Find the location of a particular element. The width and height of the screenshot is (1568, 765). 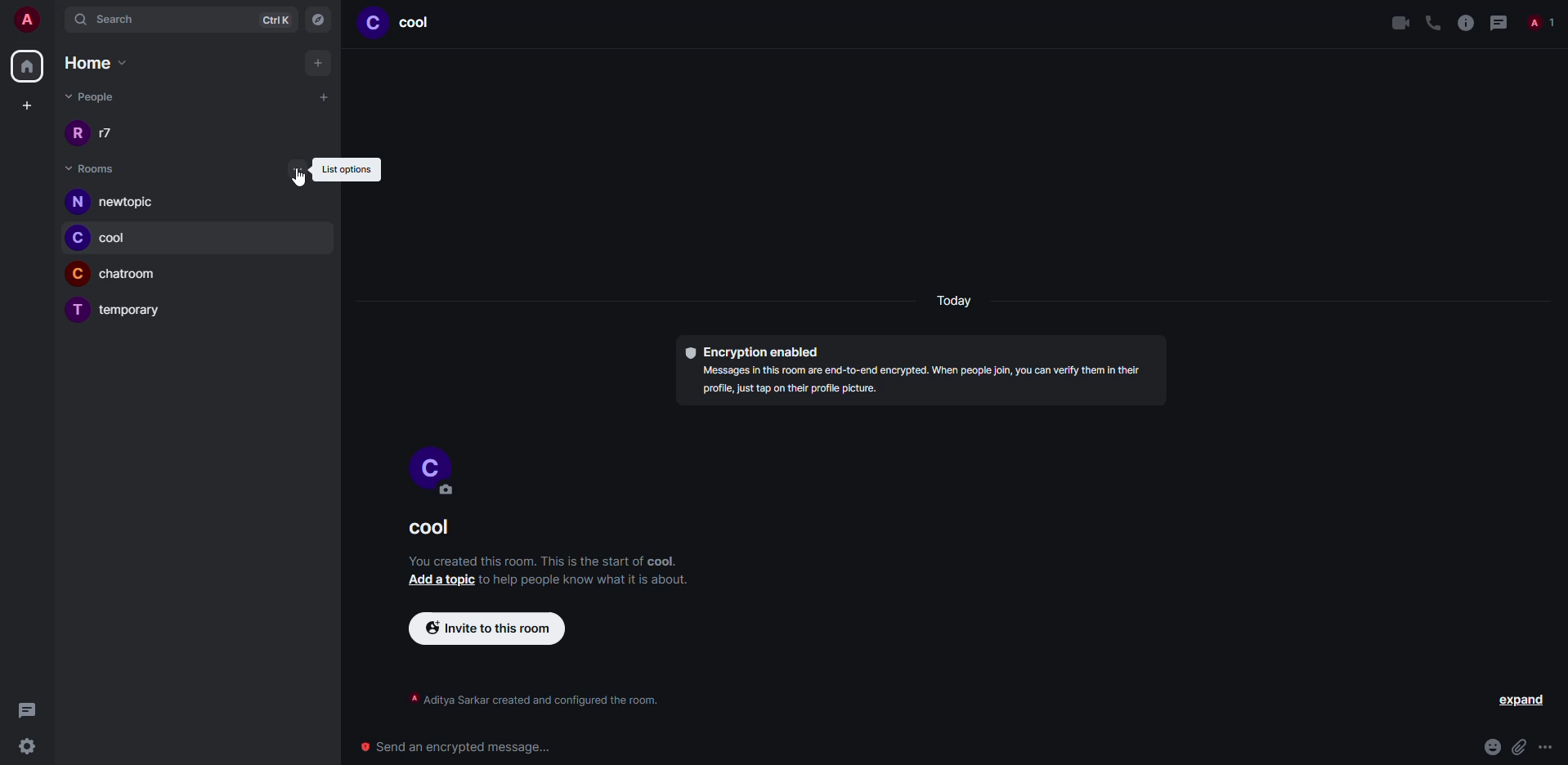

search is located at coordinates (121, 20).